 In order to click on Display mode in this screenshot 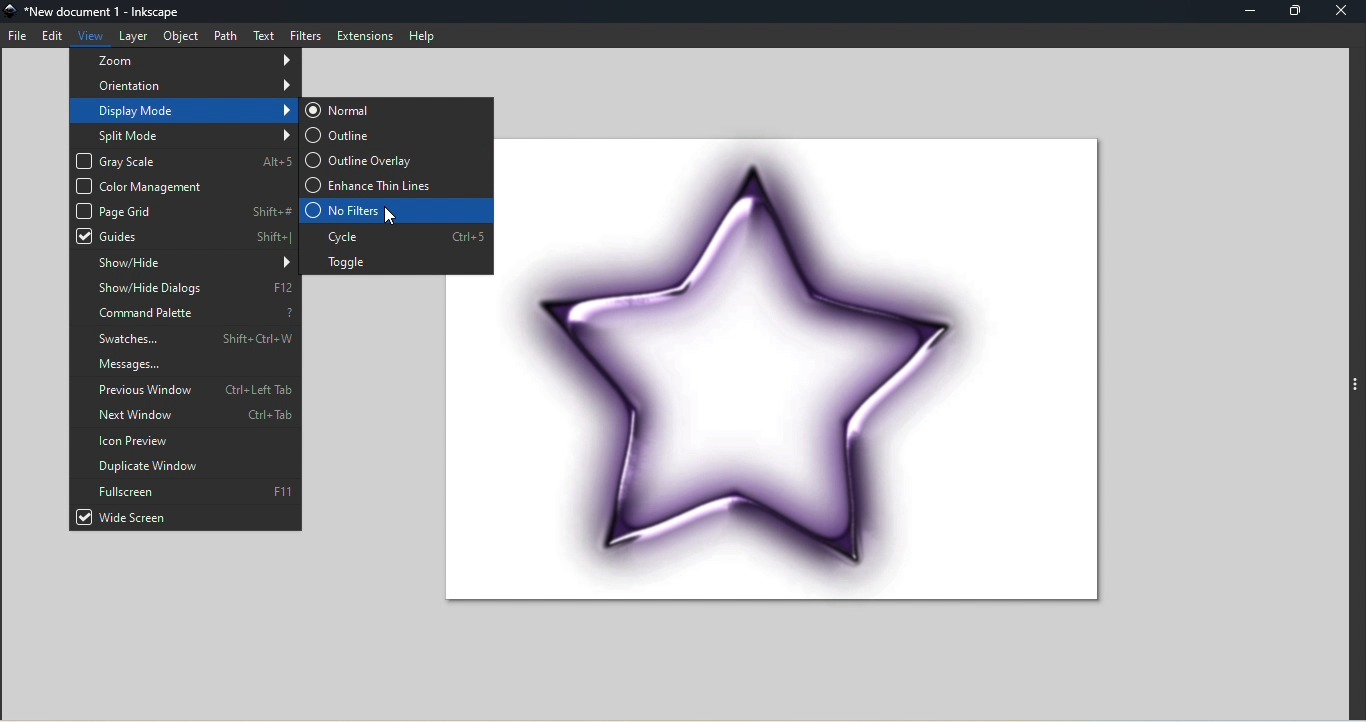, I will do `click(181, 112)`.